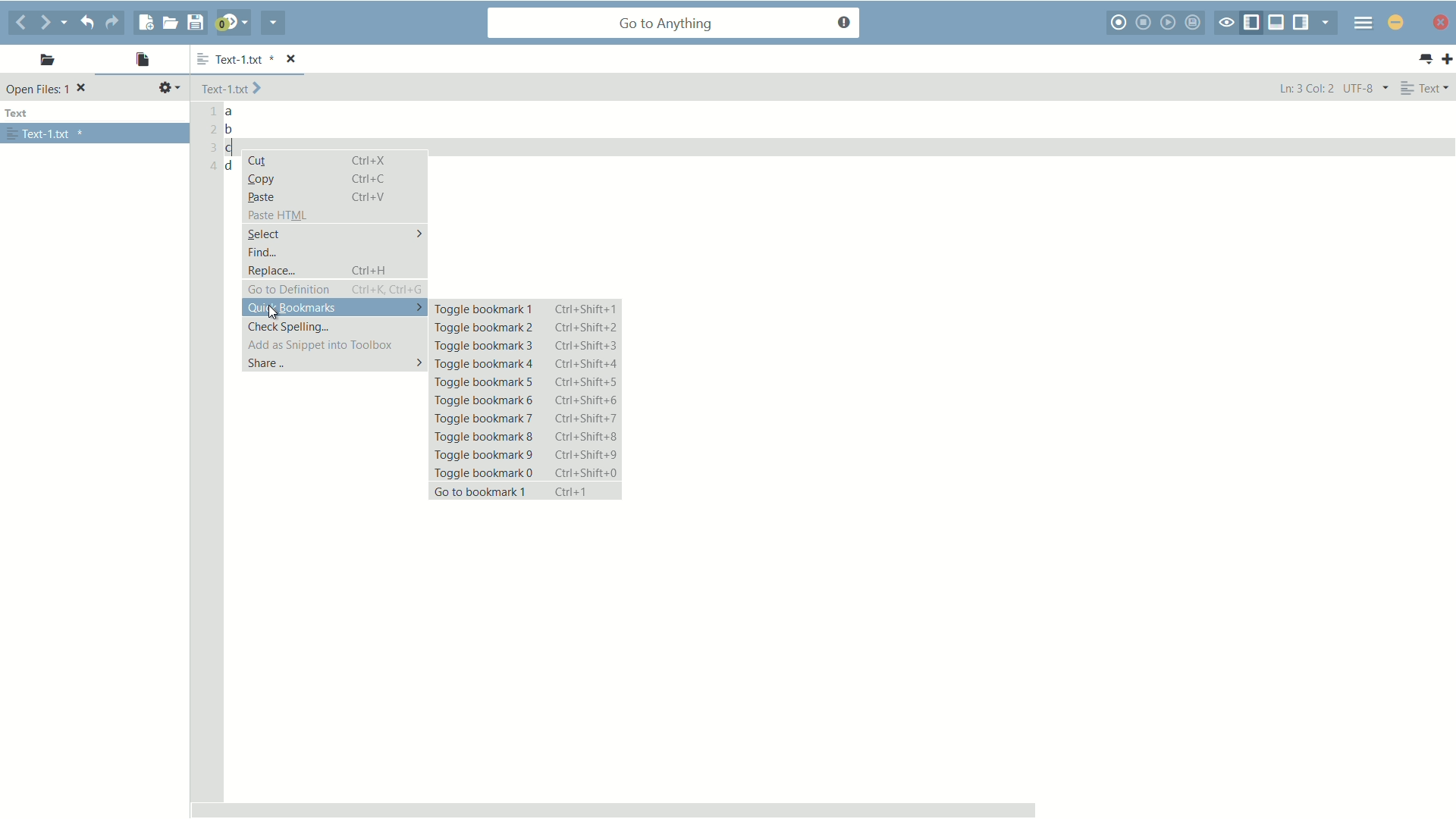 This screenshot has height=819, width=1456. What do you see at coordinates (170, 22) in the screenshot?
I see `open file` at bounding box center [170, 22].